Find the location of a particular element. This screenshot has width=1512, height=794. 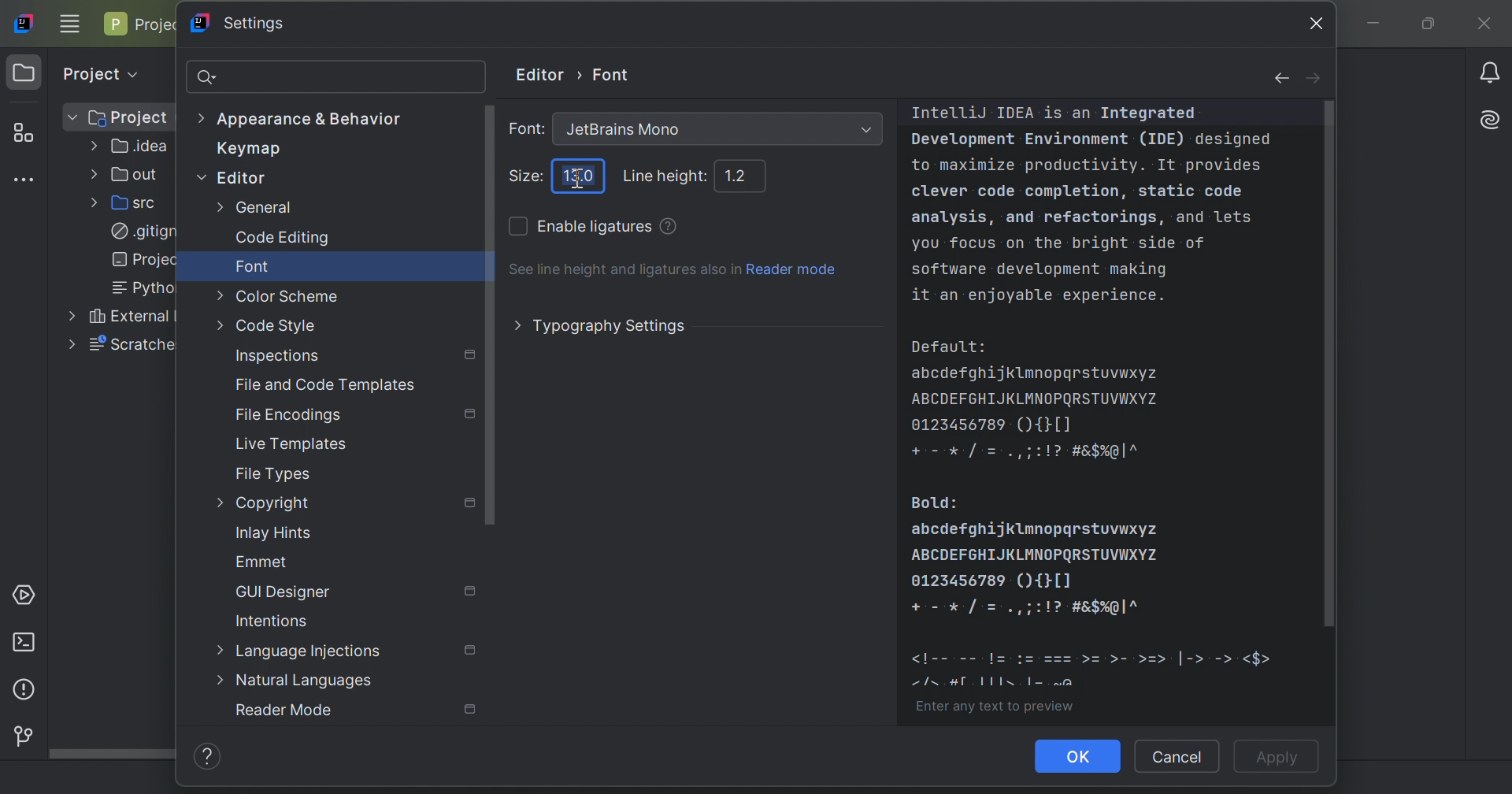

+ - * / = . , ; : ! ? # & $ % @ | ^ is located at coordinates (1025, 454).